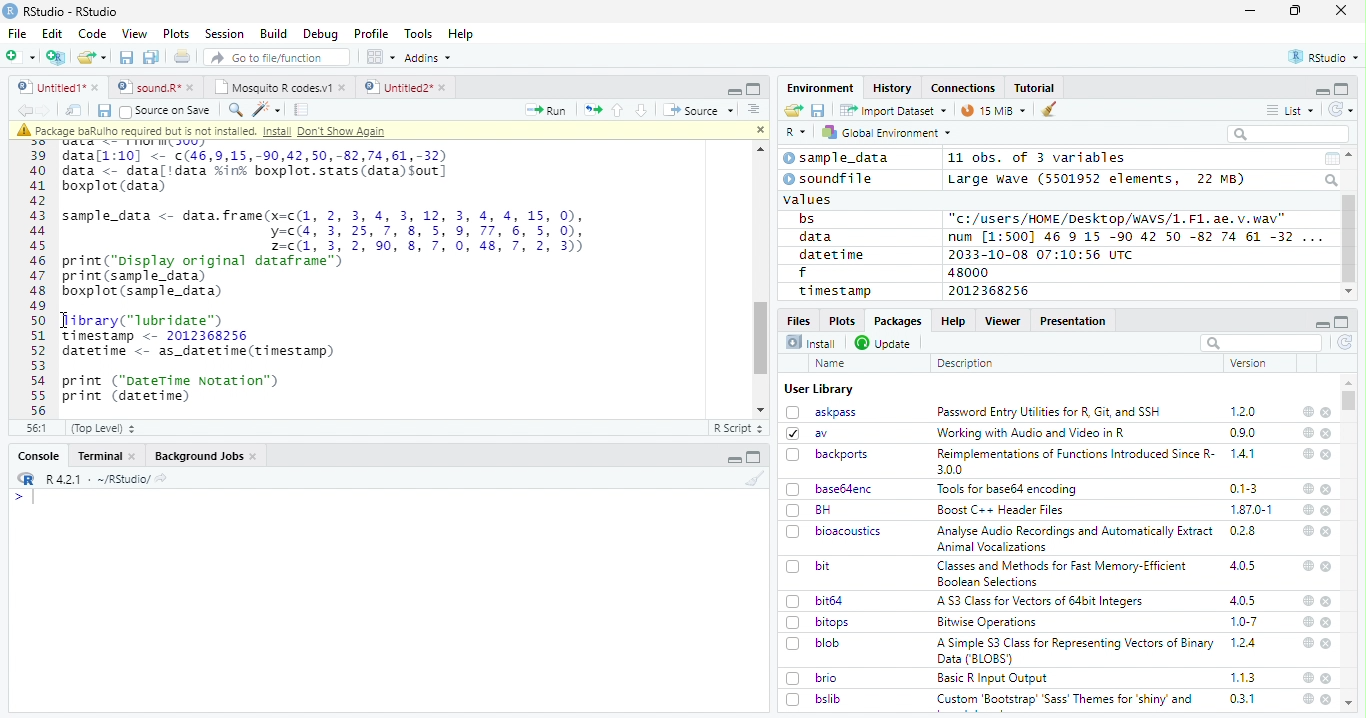 The height and width of the screenshot is (718, 1366). Describe the element at coordinates (834, 531) in the screenshot. I see `bioacoustics` at that location.